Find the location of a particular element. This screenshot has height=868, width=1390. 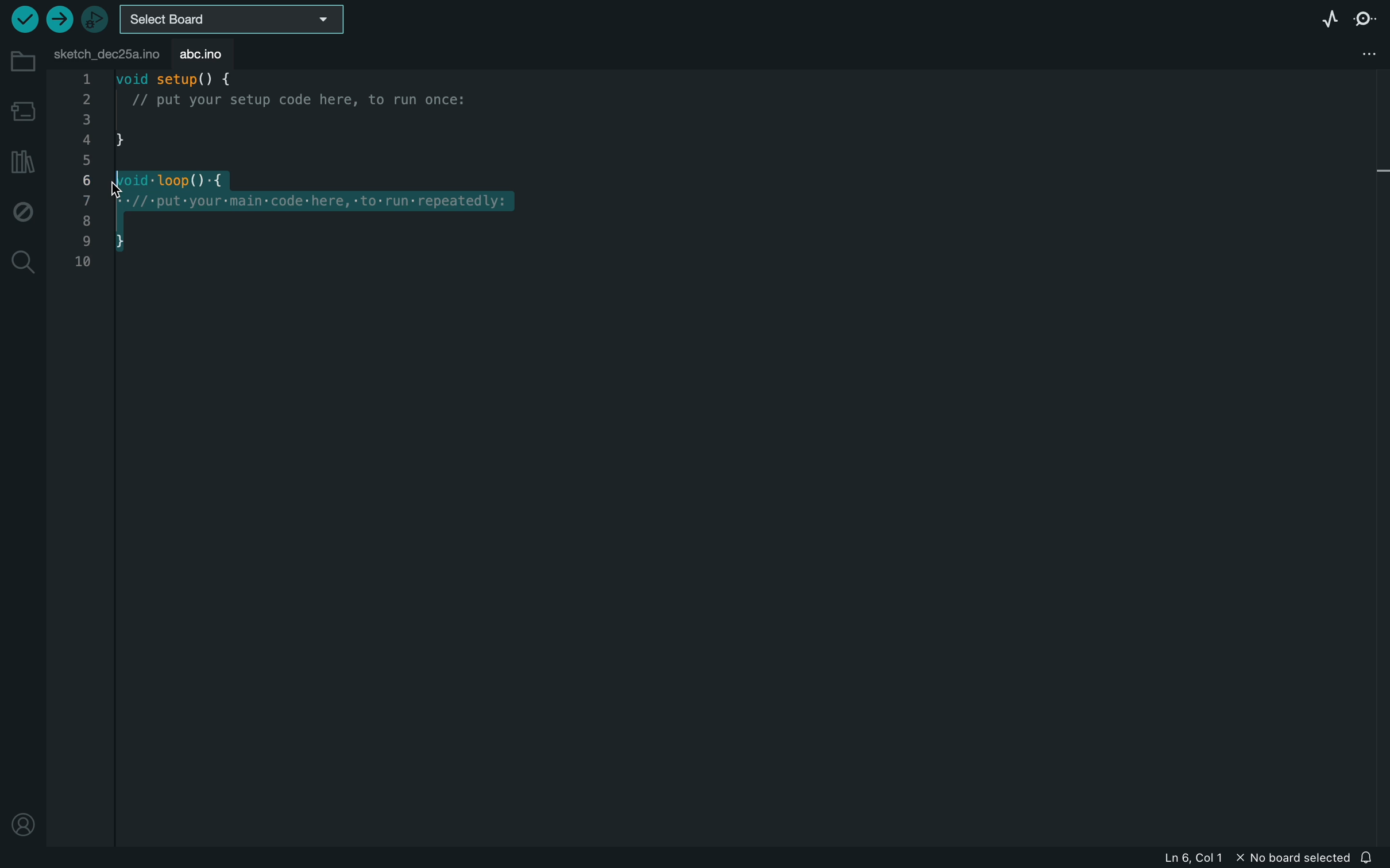

debugger is located at coordinates (96, 17).